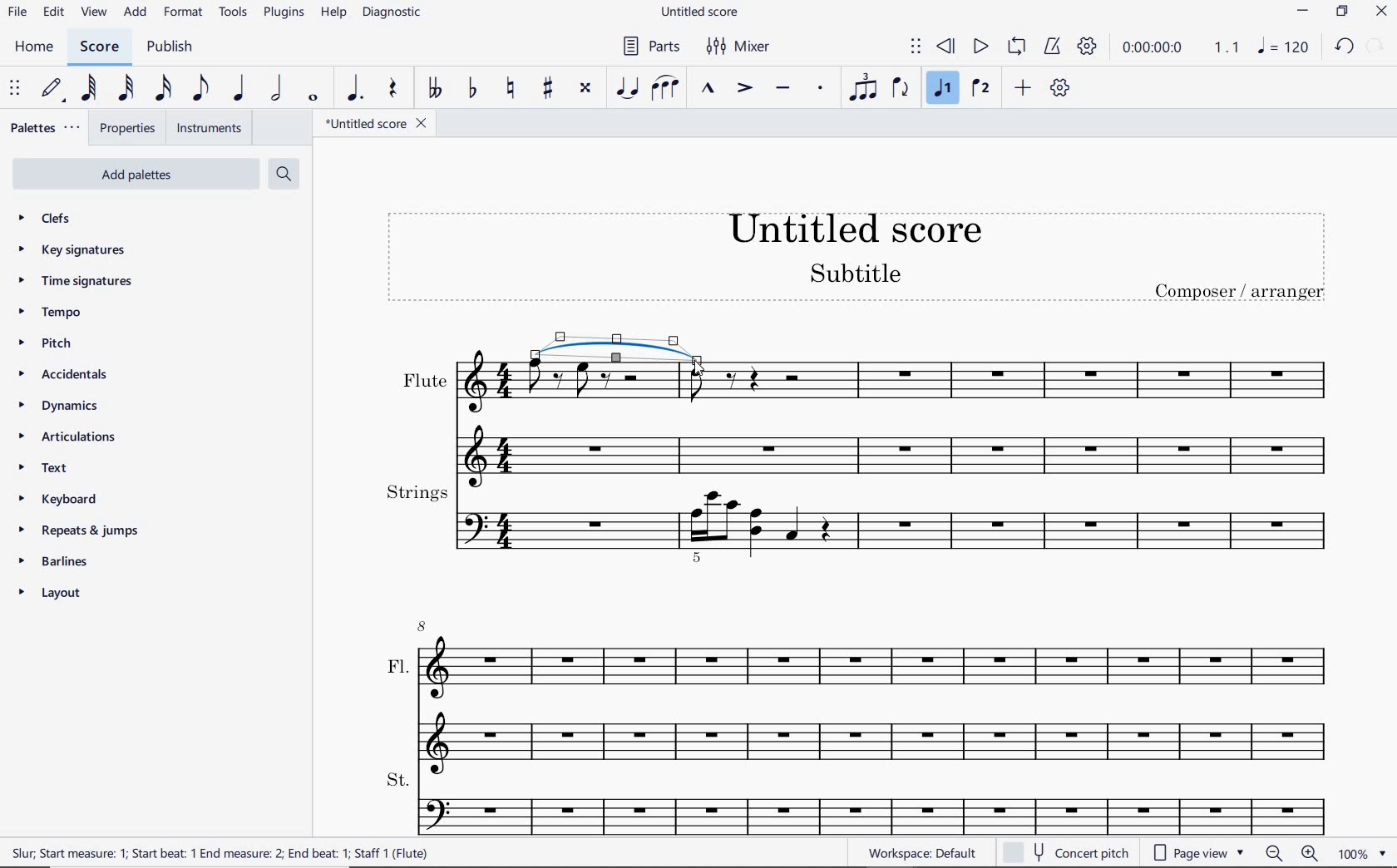 The height and width of the screenshot is (868, 1397). Describe the element at coordinates (618, 350) in the screenshot. I see `TIE` at that location.